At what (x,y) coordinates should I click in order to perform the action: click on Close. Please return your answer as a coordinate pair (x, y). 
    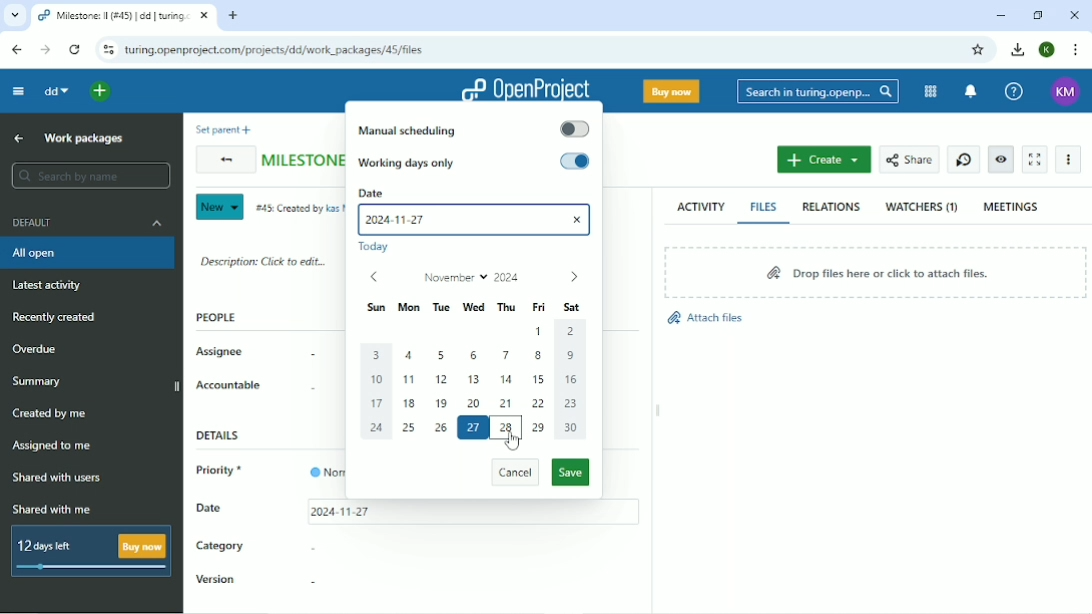
    Looking at the image, I should click on (1075, 14).